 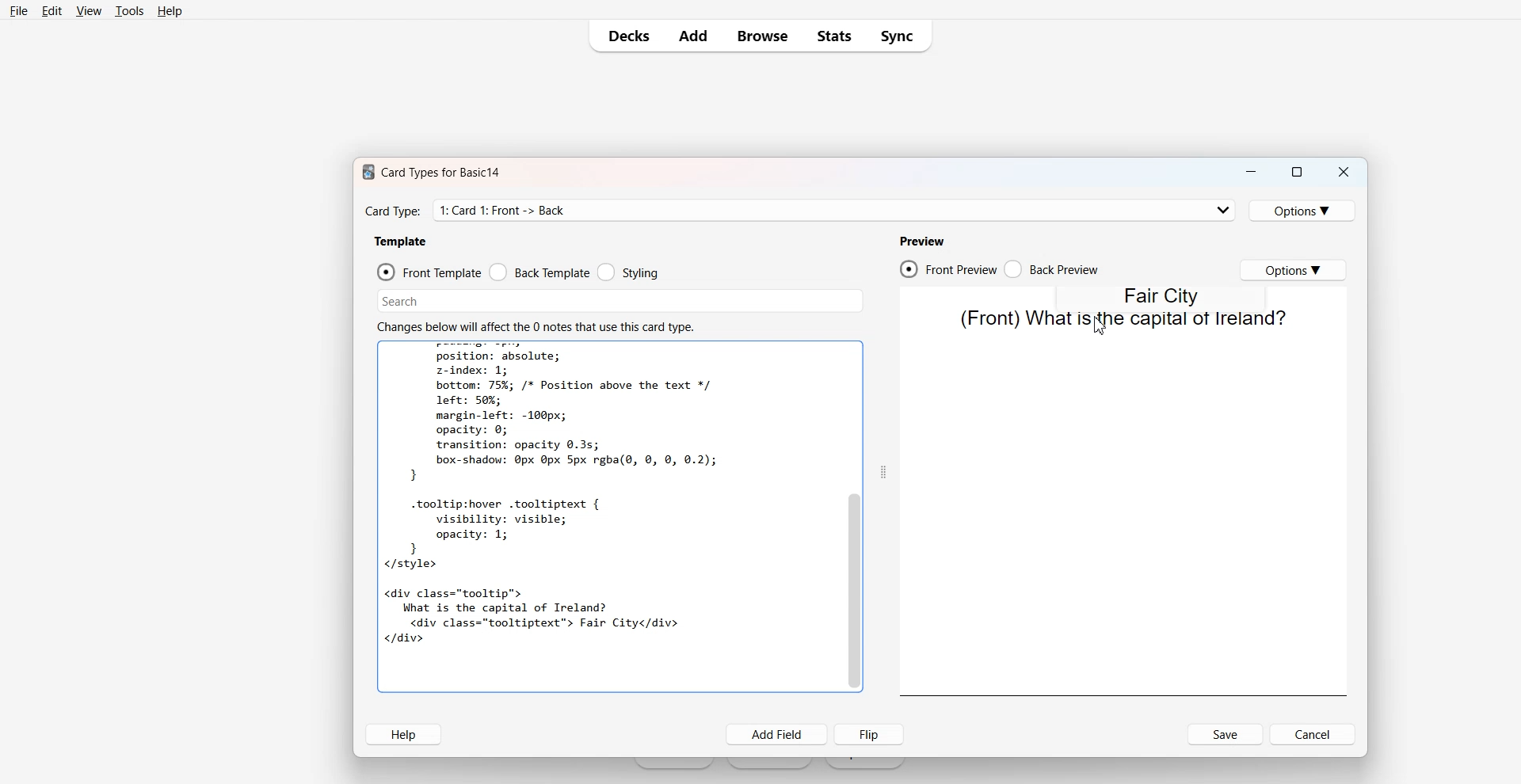 I want to click on Back Template, so click(x=539, y=272).